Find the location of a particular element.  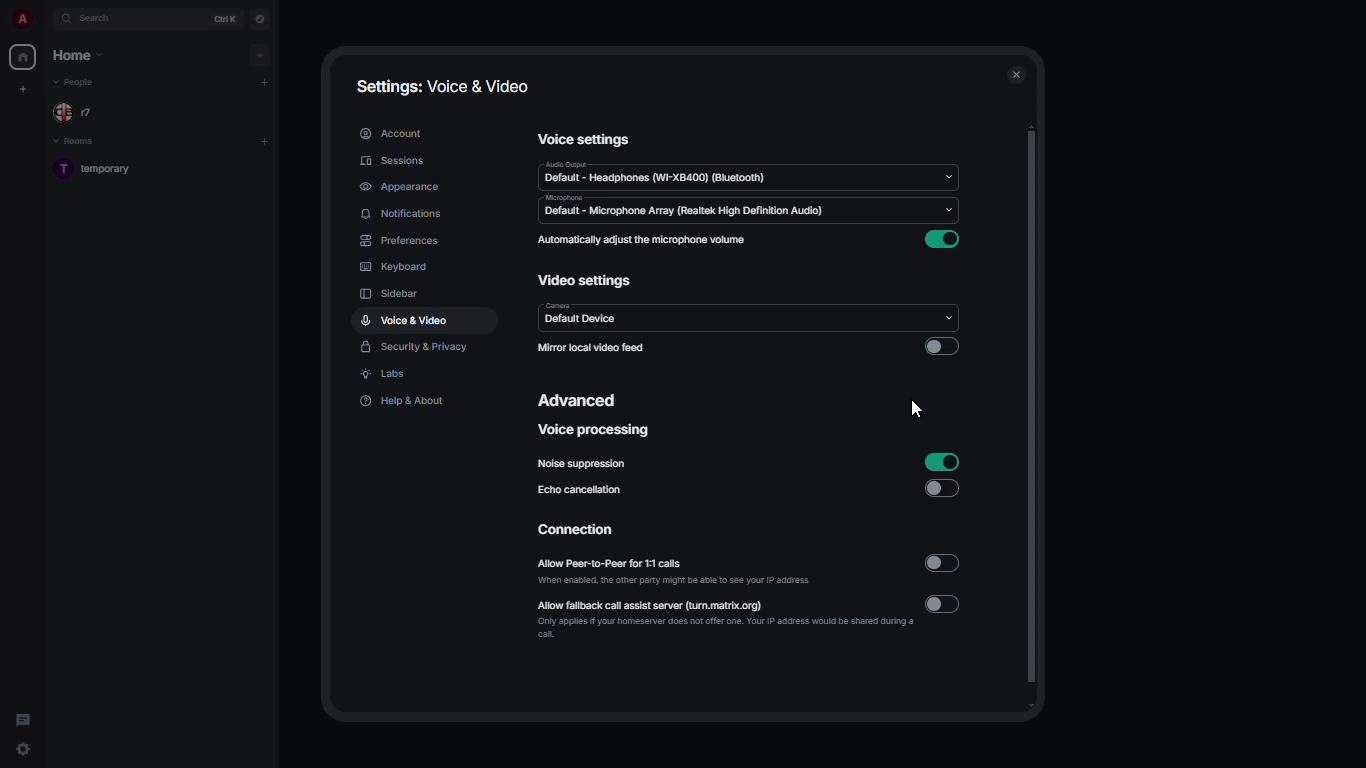

notifications is located at coordinates (402, 214).